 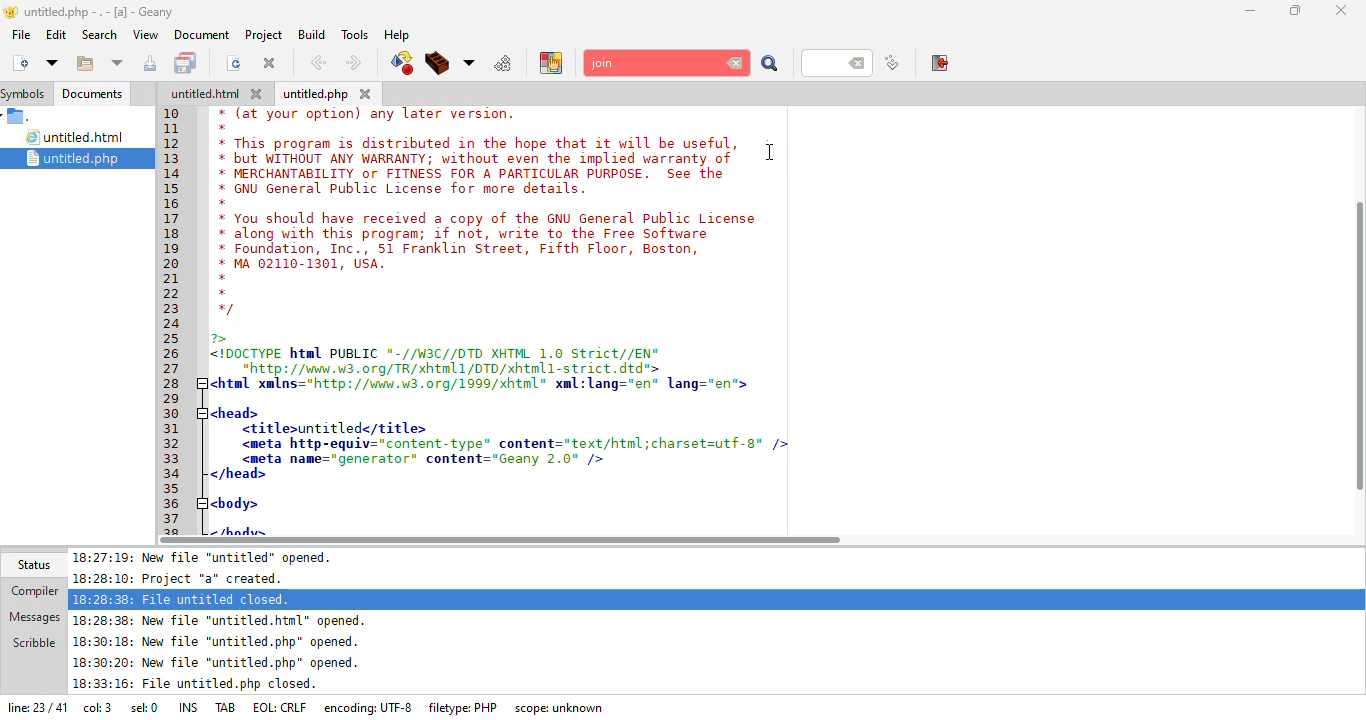 I want to click on scroll bar, so click(x=500, y=540).